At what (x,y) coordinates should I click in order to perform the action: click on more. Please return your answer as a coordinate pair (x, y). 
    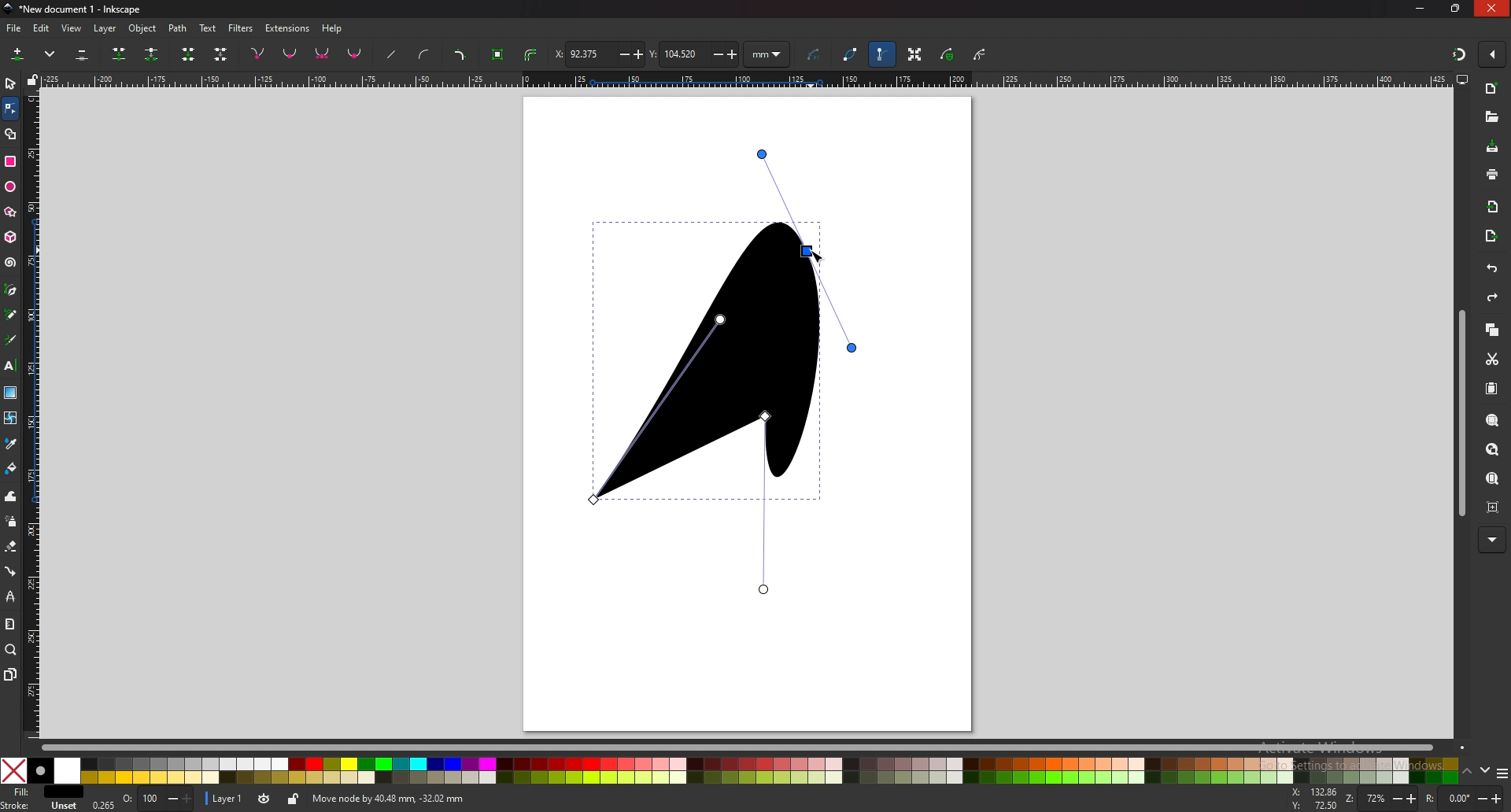
    Looking at the image, I should click on (50, 54).